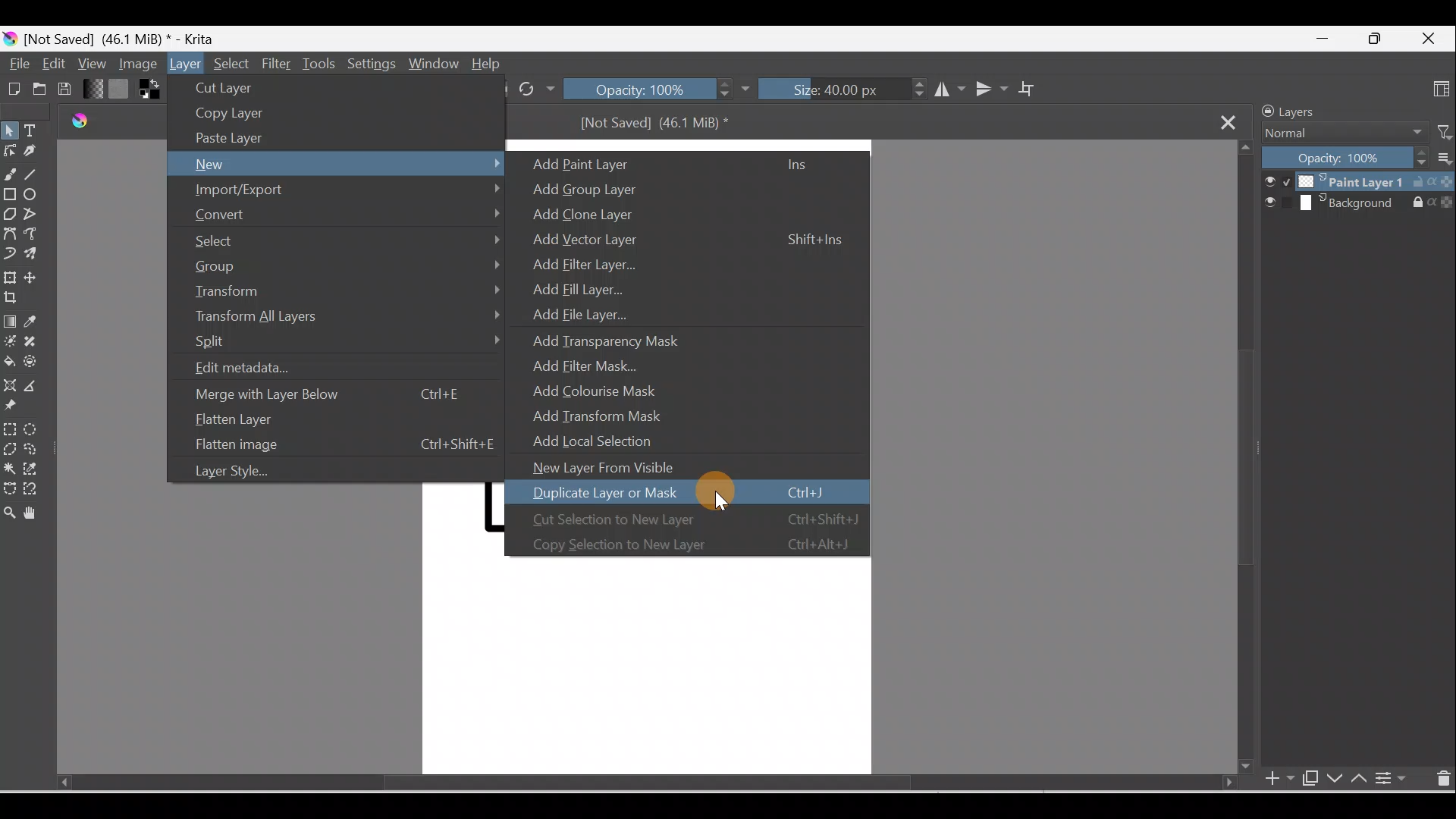 The image size is (1456, 819). I want to click on Transform all layers, so click(345, 318).